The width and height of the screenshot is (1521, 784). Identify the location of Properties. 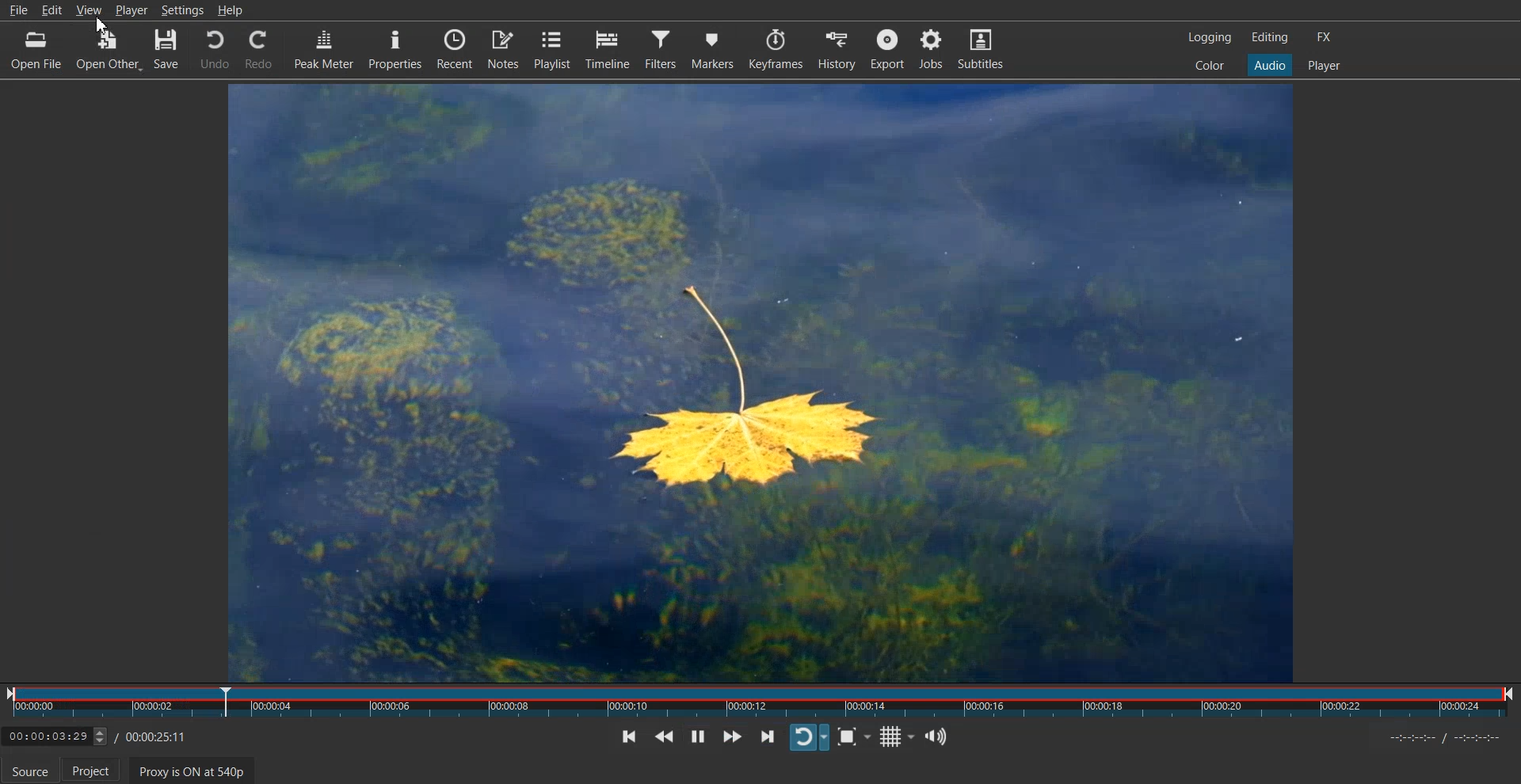
(395, 49).